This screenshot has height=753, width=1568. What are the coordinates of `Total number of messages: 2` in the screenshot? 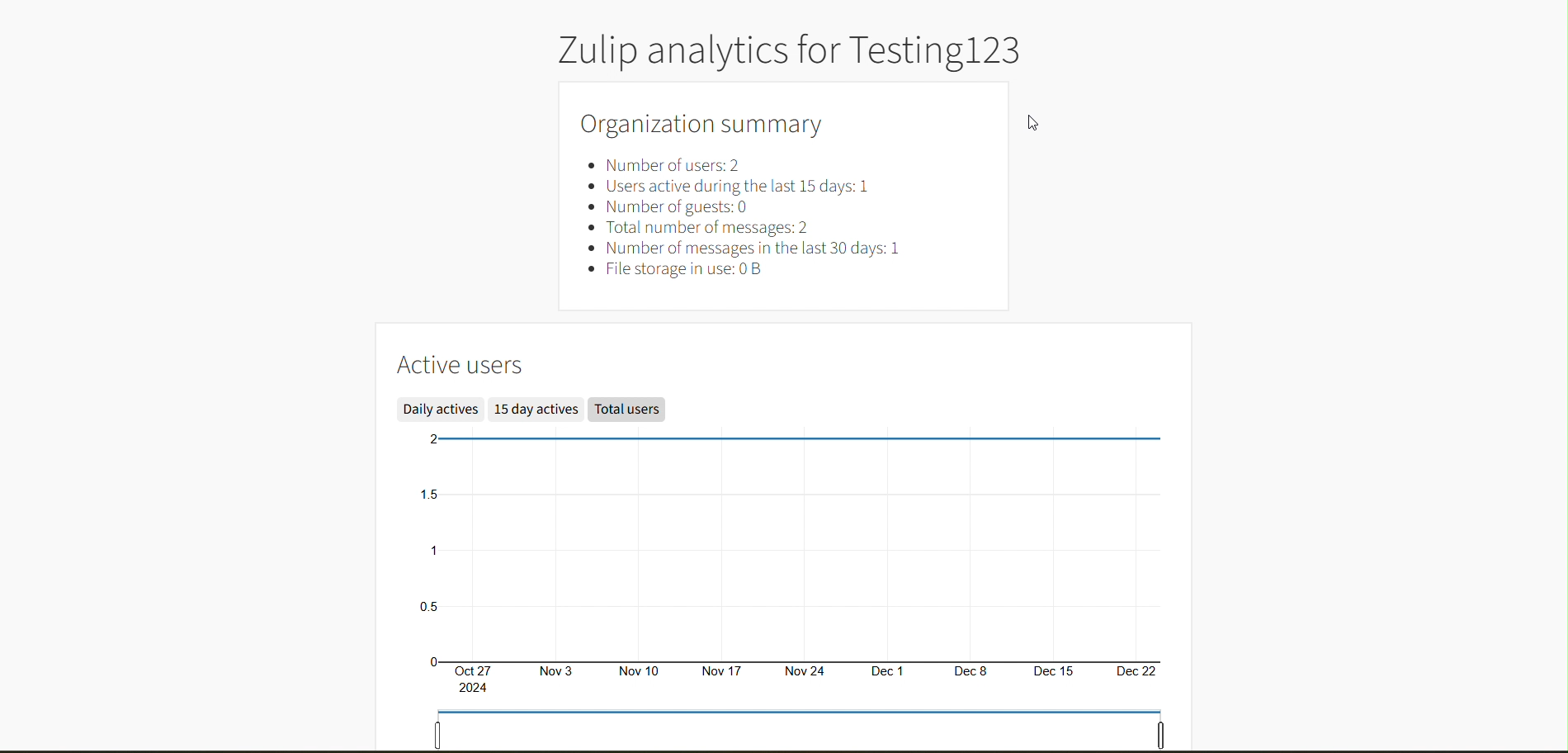 It's located at (705, 228).